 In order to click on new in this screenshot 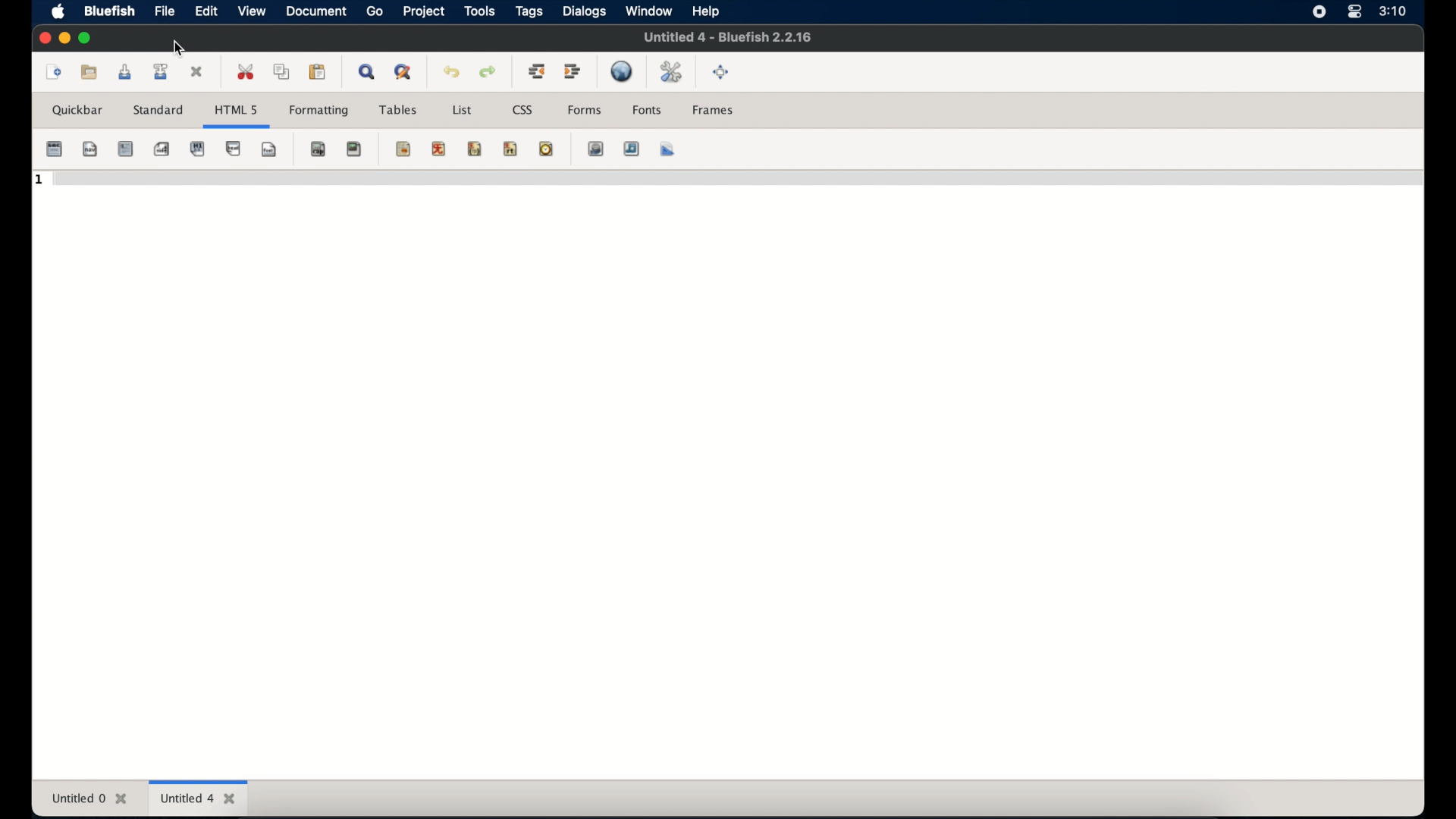, I will do `click(52, 72)`.